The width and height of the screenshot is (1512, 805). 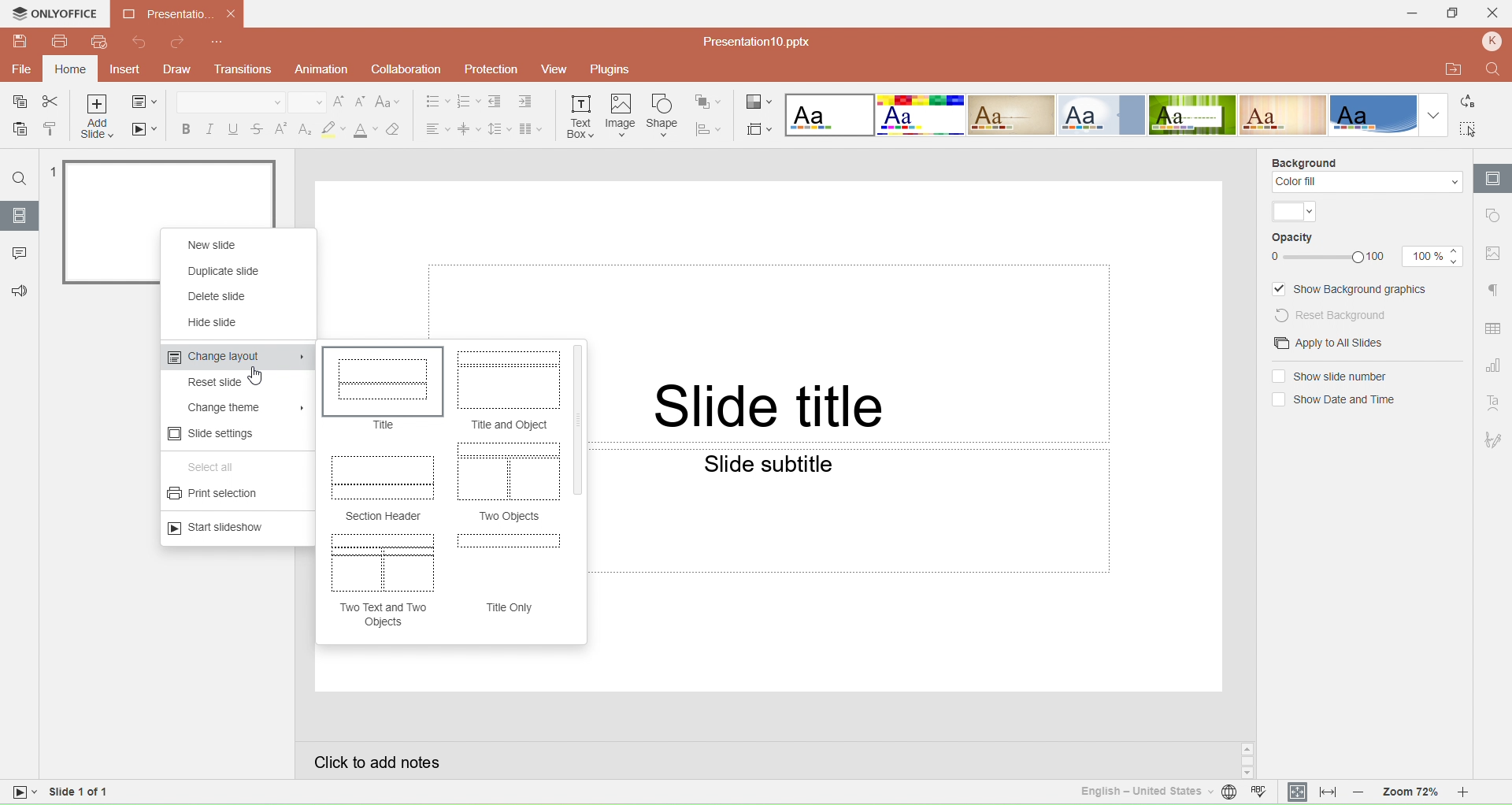 I want to click on Vertical align, so click(x=469, y=128).